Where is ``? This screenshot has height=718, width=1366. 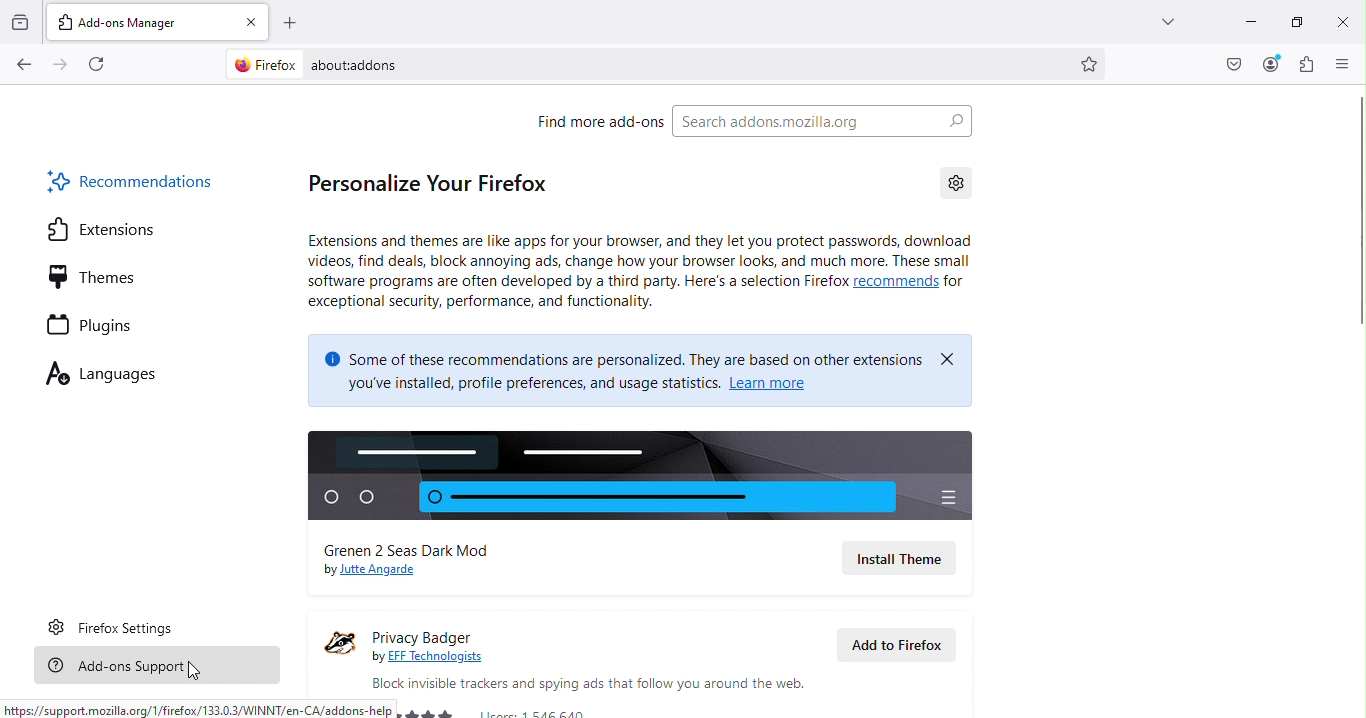
 is located at coordinates (1305, 61).